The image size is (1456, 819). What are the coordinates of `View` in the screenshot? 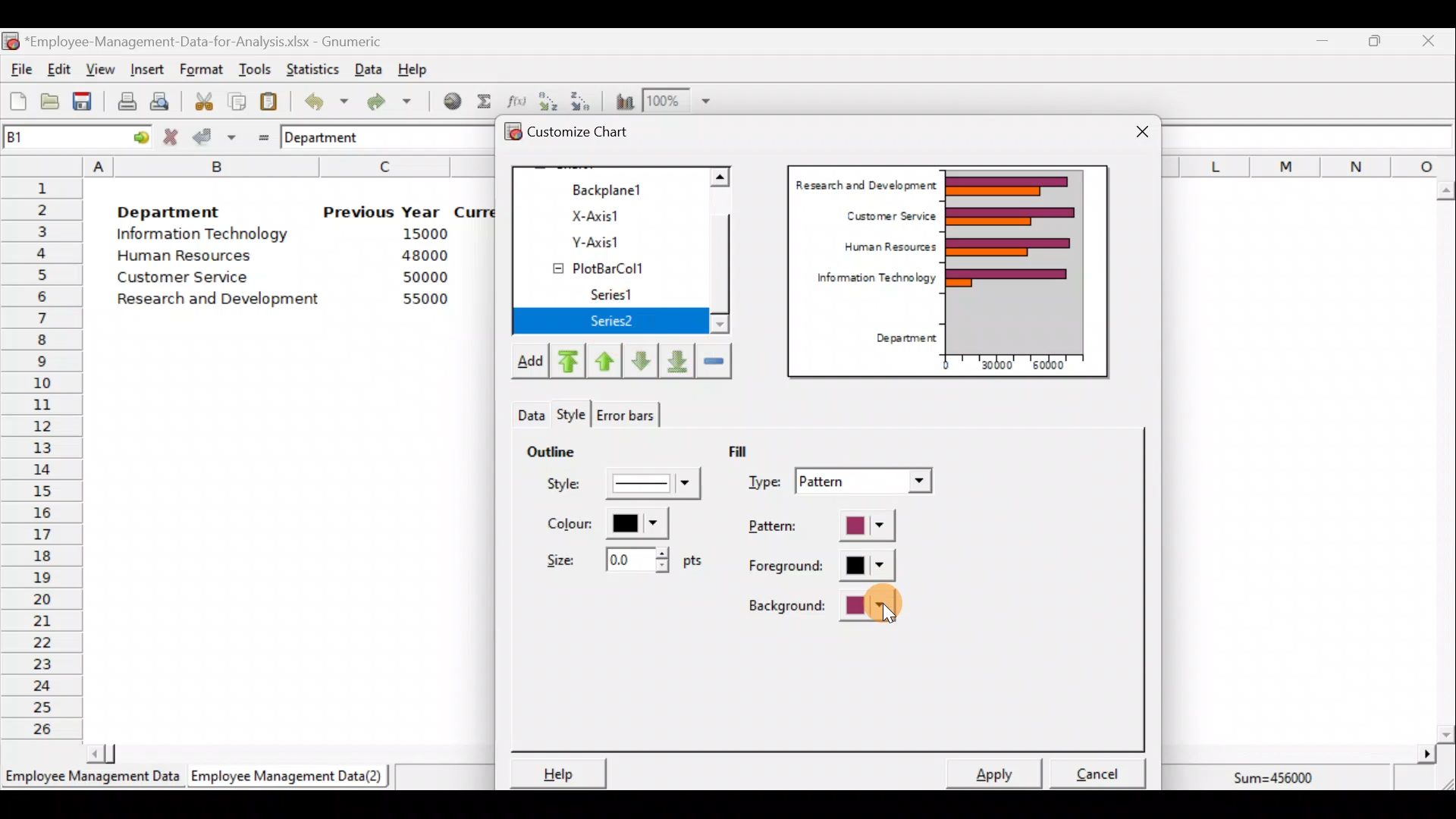 It's located at (99, 70).